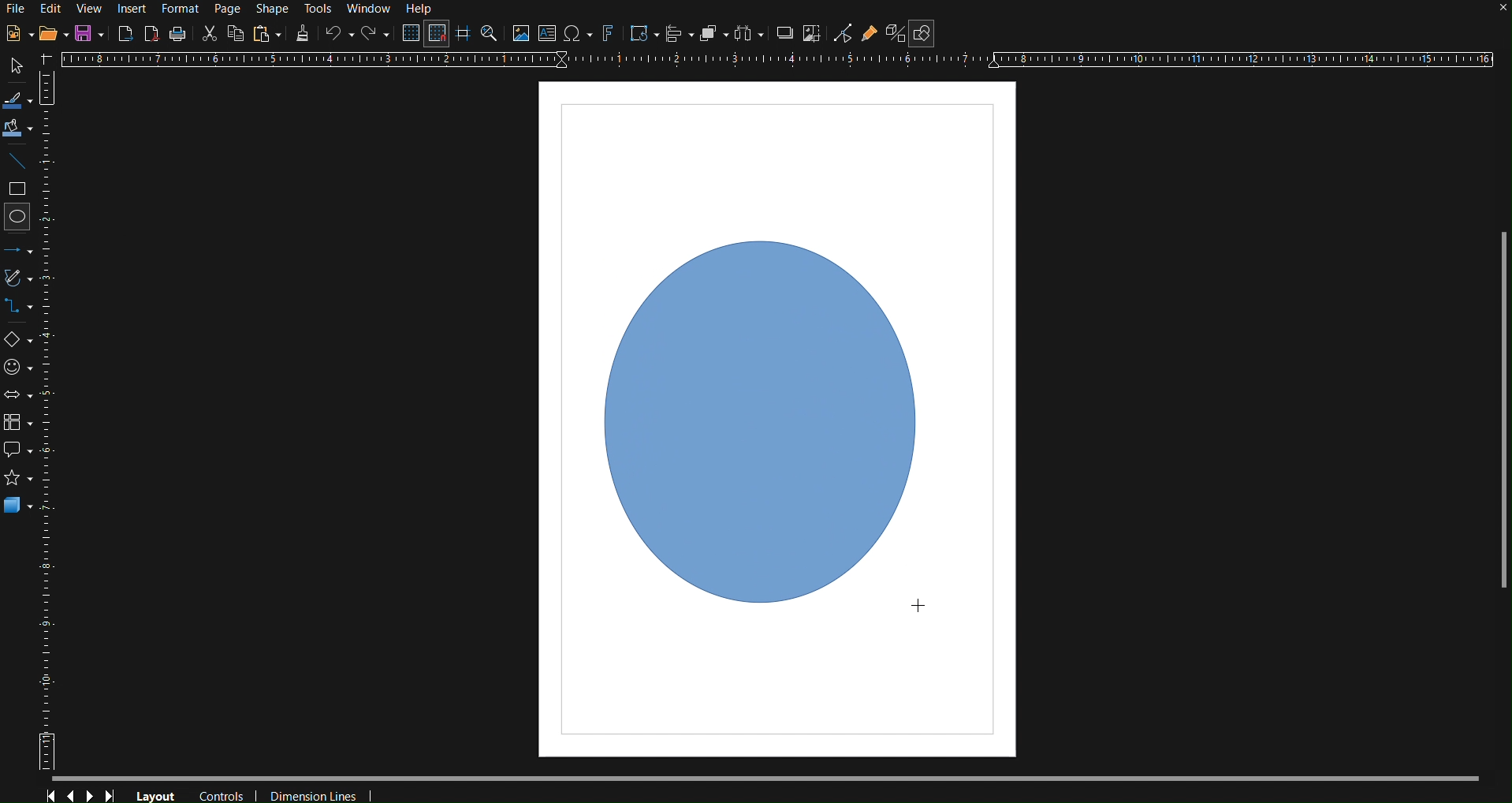 This screenshot has width=1512, height=803. I want to click on Line Color, so click(17, 99).